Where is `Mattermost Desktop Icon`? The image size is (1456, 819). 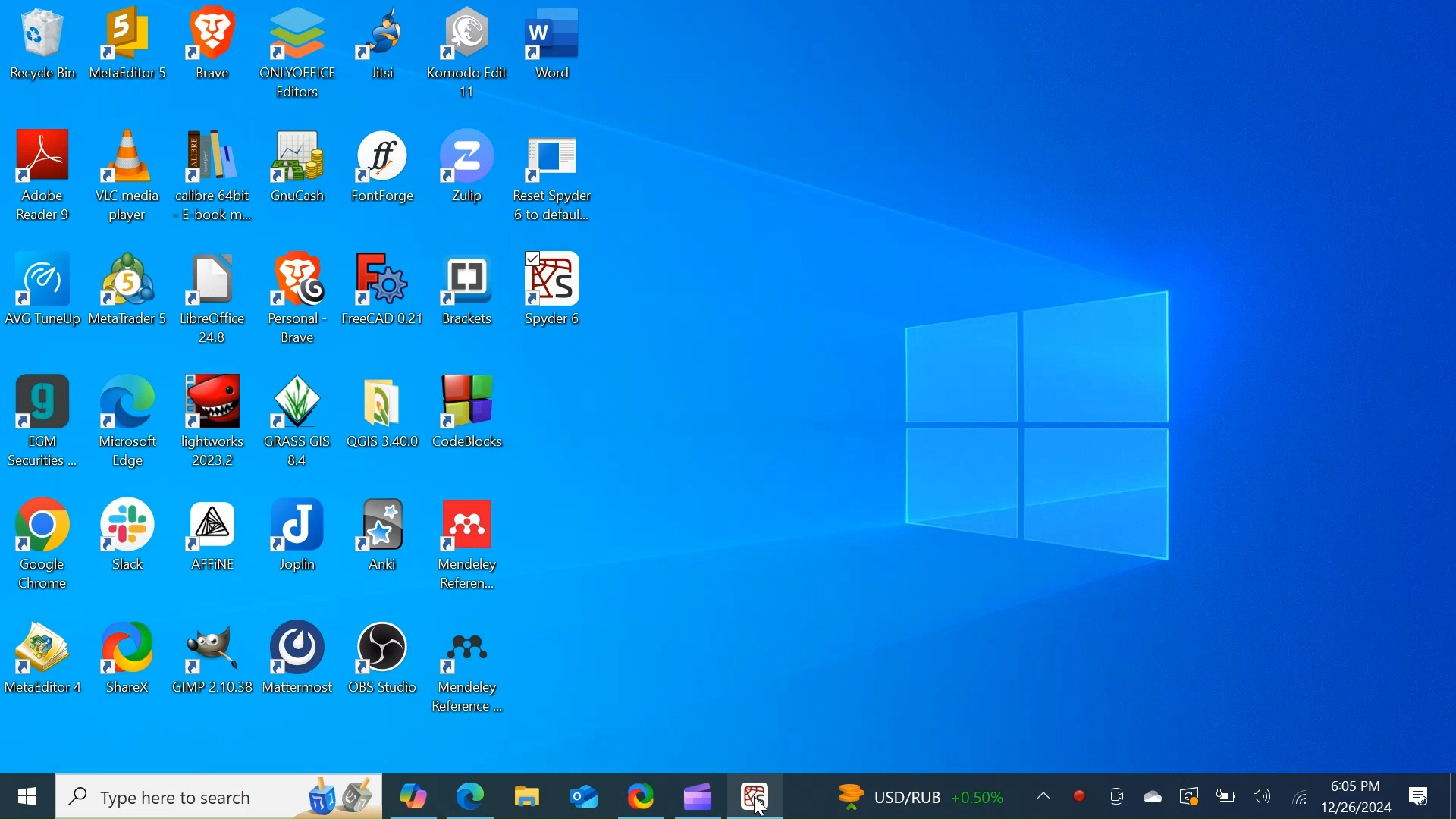 Mattermost Desktop Icon is located at coordinates (300, 664).